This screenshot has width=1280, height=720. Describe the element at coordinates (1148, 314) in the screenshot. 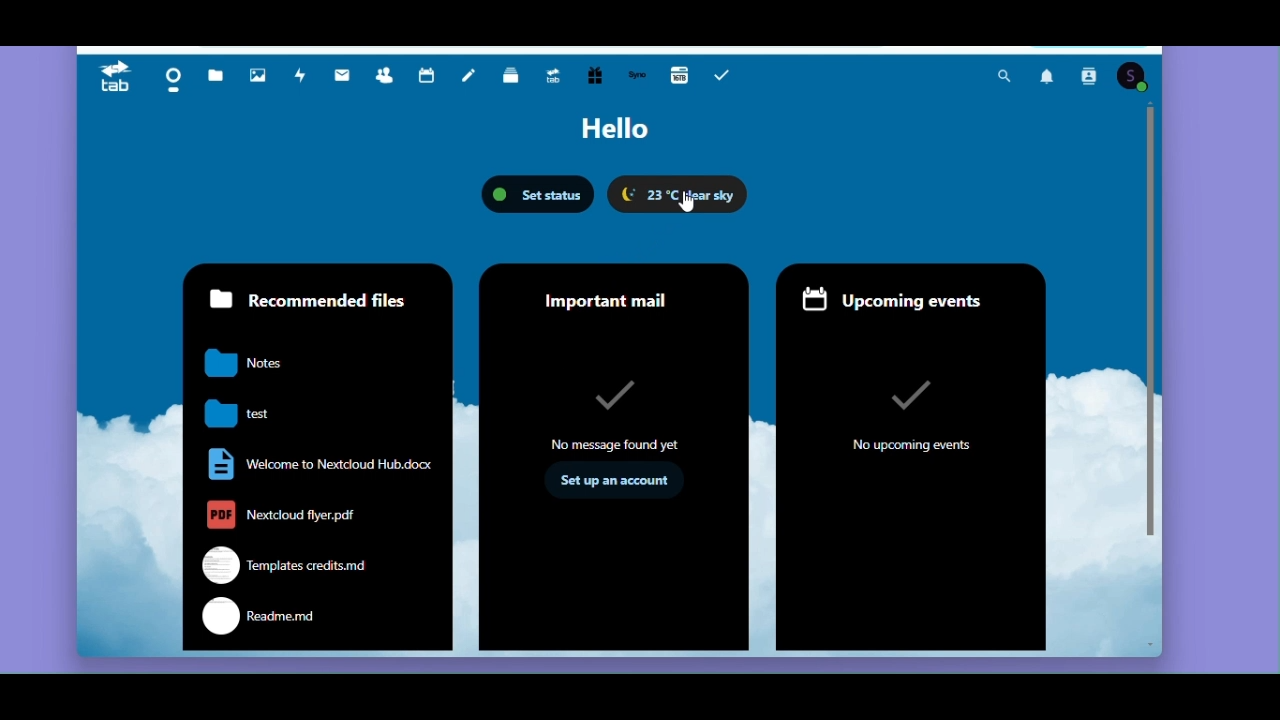

I see `vertical scroll bar` at that location.